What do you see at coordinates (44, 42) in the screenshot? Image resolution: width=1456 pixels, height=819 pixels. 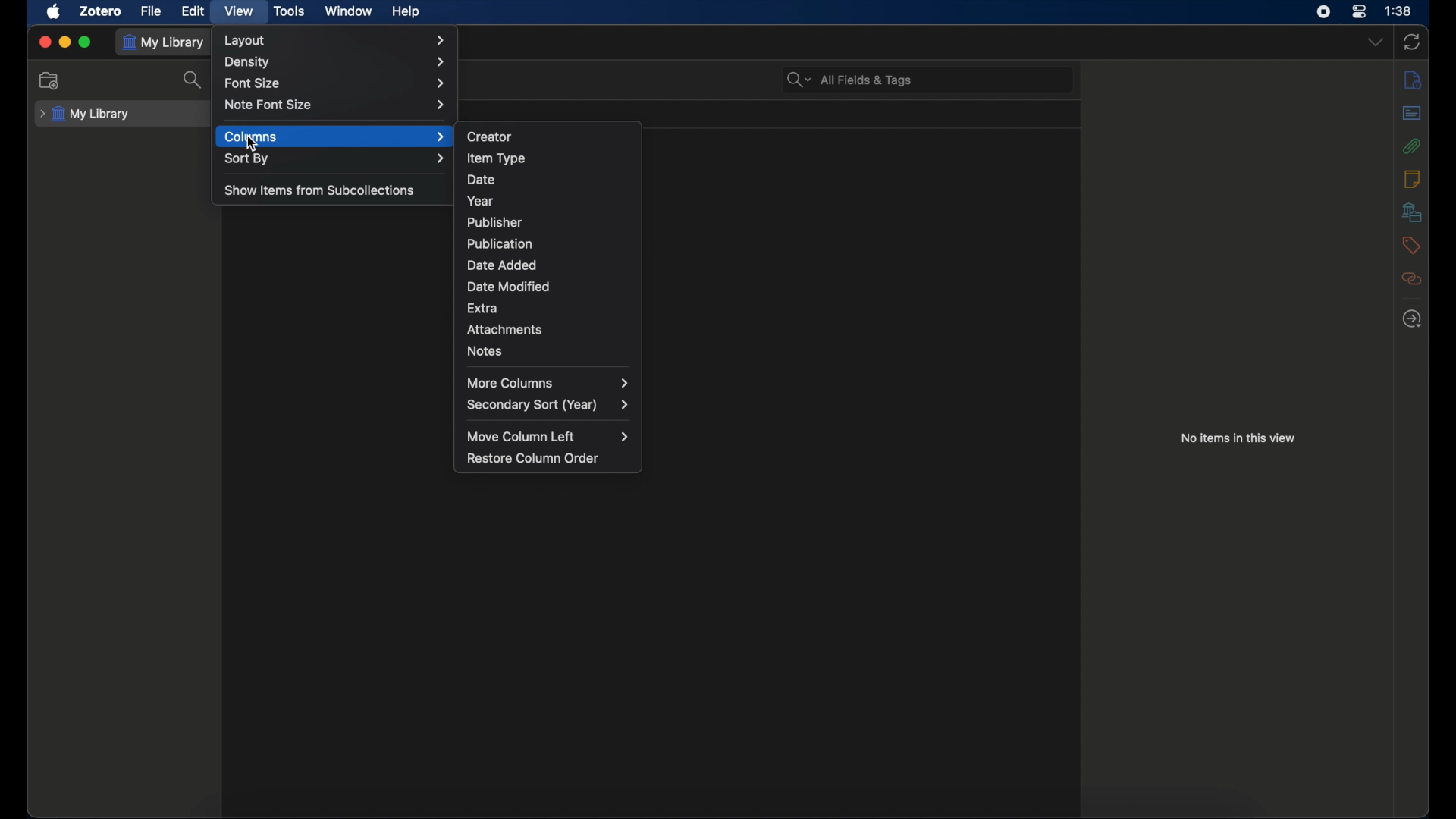 I see `close` at bounding box center [44, 42].